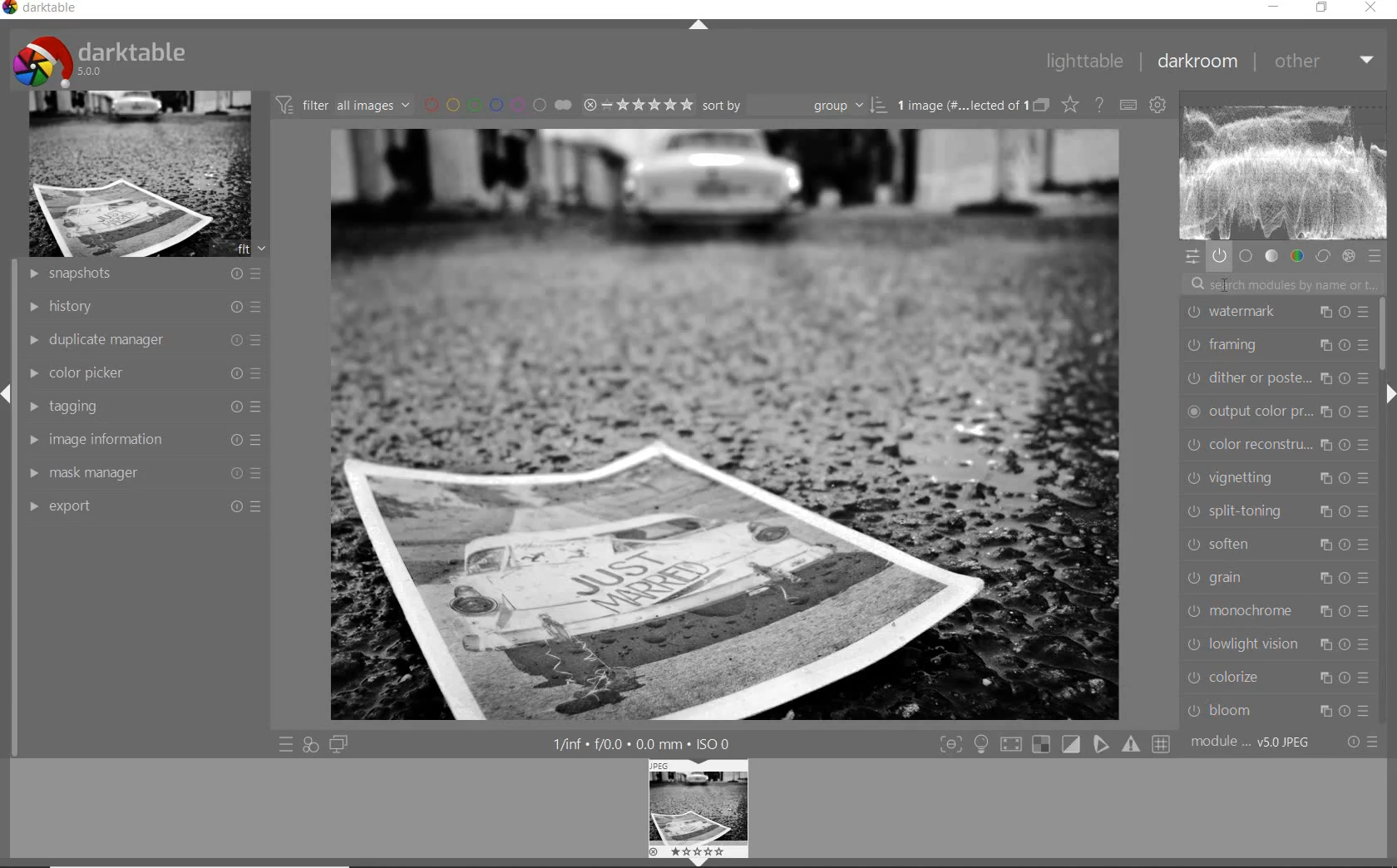  What do you see at coordinates (1246, 257) in the screenshot?
I see `base` at bounding box center [1246, 257].